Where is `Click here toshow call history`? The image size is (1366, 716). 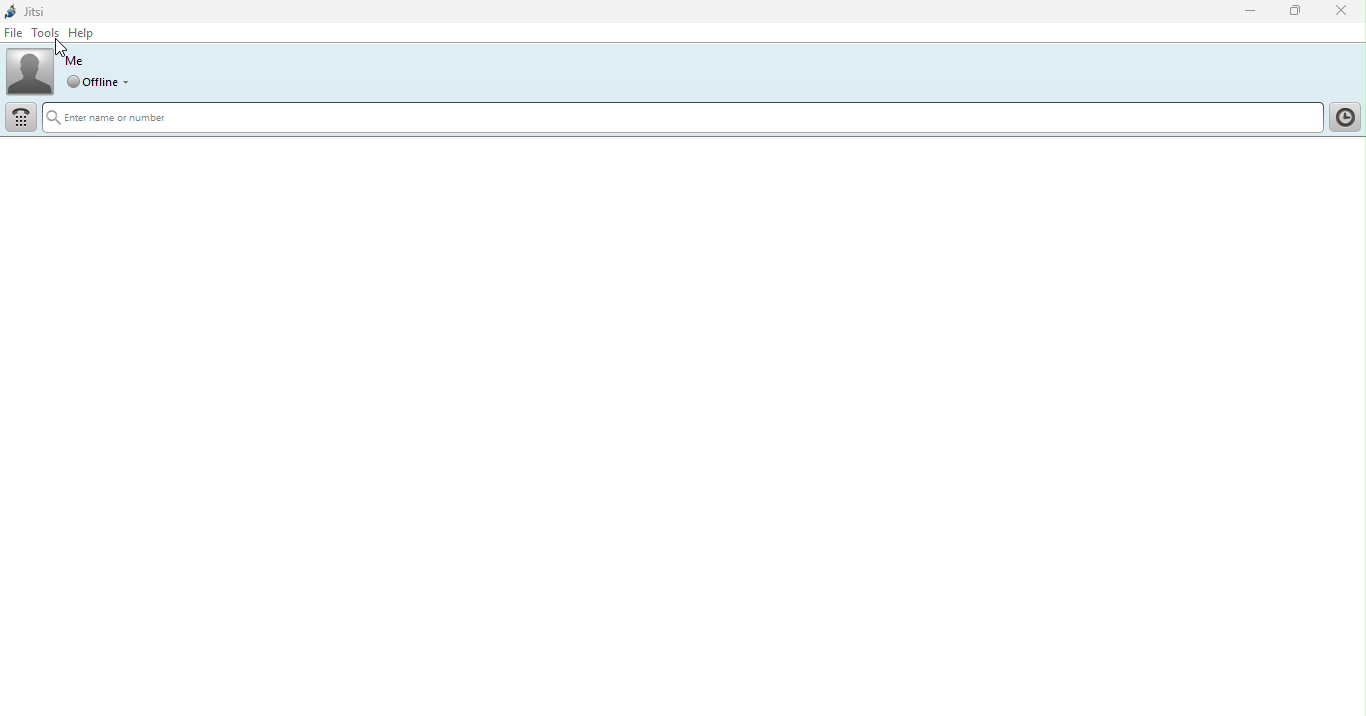 Click here toshow call history is located at coordinates (1343, 118).